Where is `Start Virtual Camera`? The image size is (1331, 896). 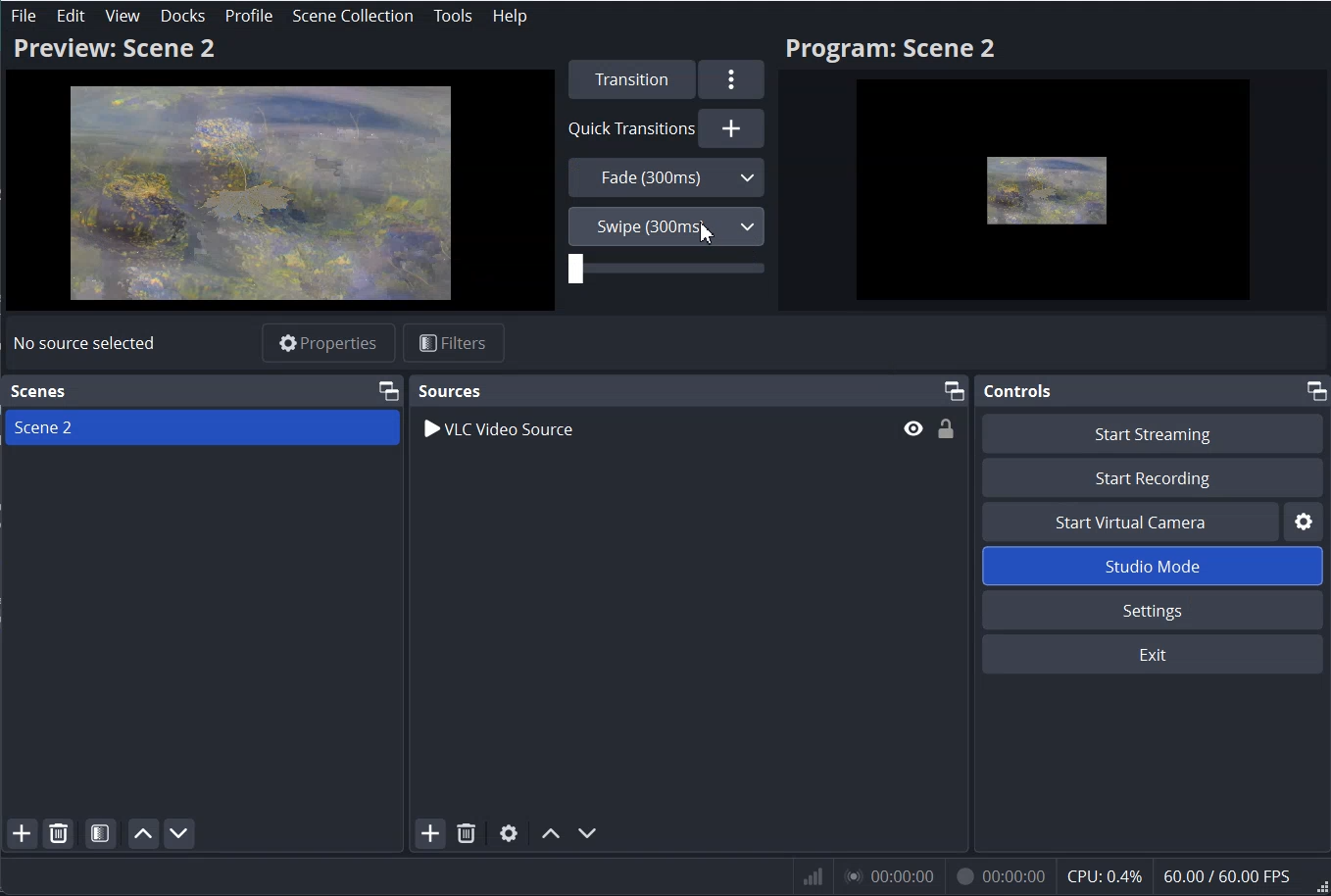
Start Virtual Camera is located at coordinates (1129, 522).